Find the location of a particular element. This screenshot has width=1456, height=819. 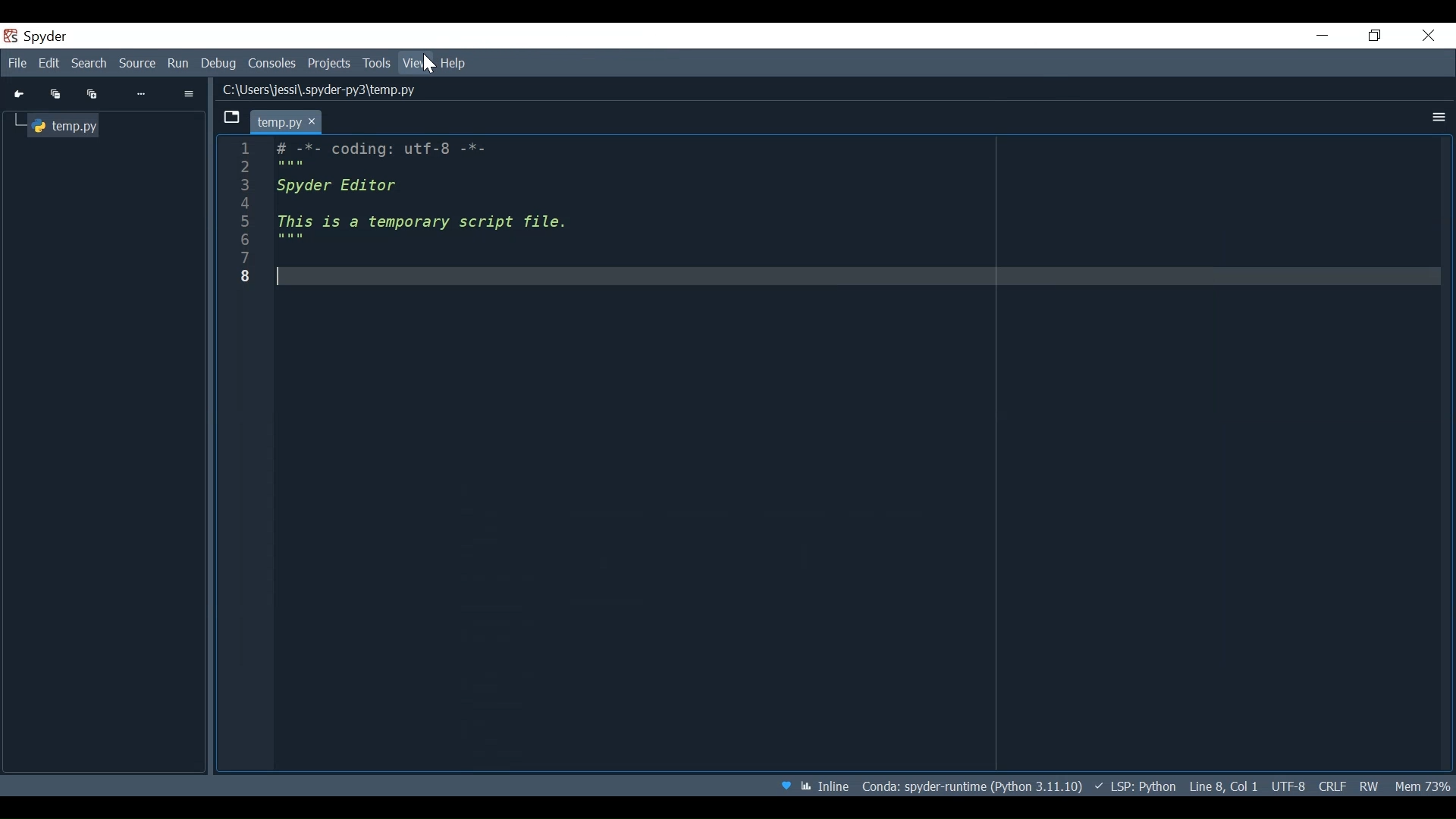

temp.py is located at coordinates (66, 124).